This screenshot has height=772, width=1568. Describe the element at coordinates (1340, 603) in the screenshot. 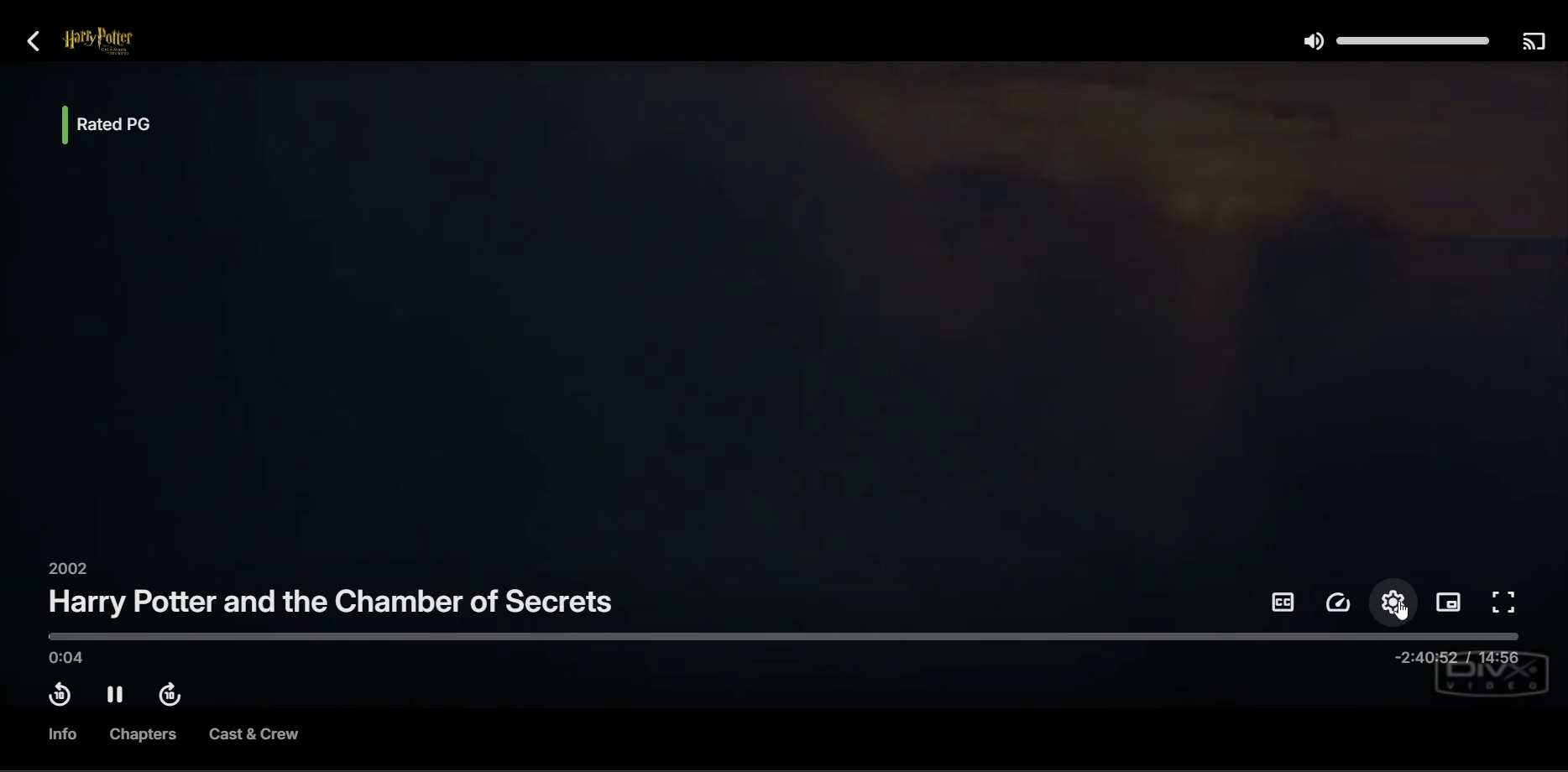

I see `Playback Settings` at that location.